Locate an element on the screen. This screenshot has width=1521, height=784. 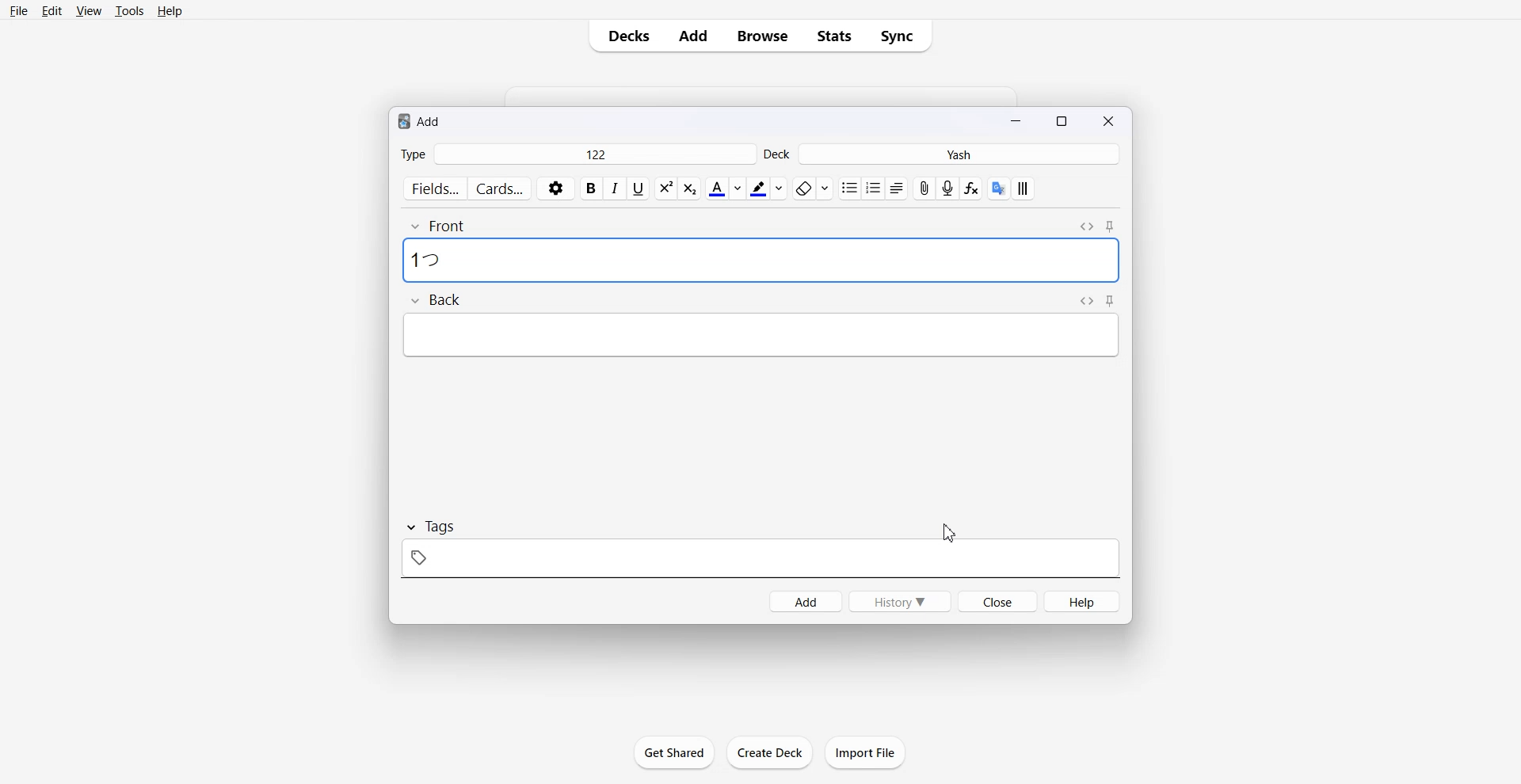
Toggle HTML Editor is located at coordinates (1086, 225).